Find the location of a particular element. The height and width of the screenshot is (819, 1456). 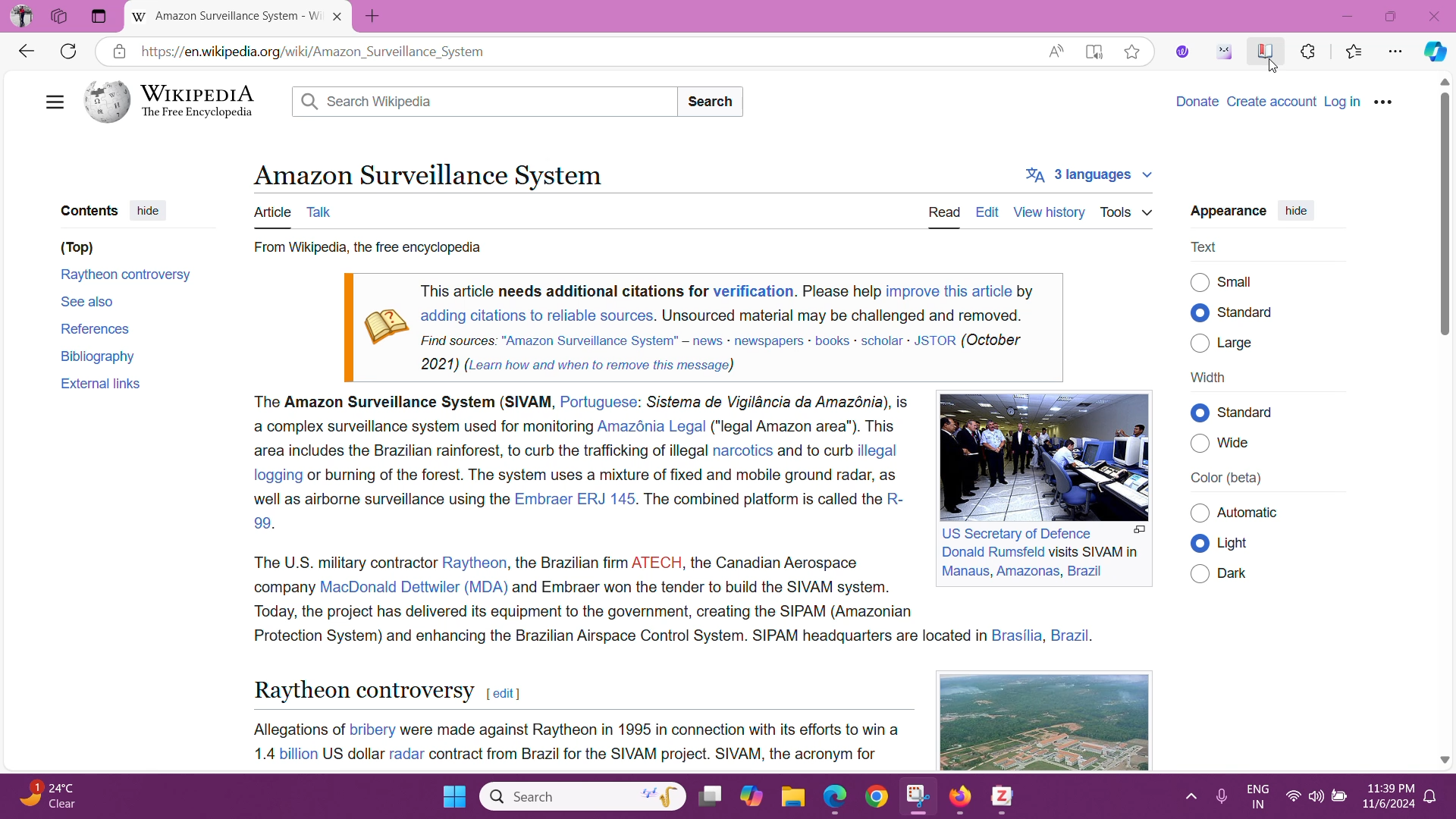

 Dark is located at coordinates (1239, 573).